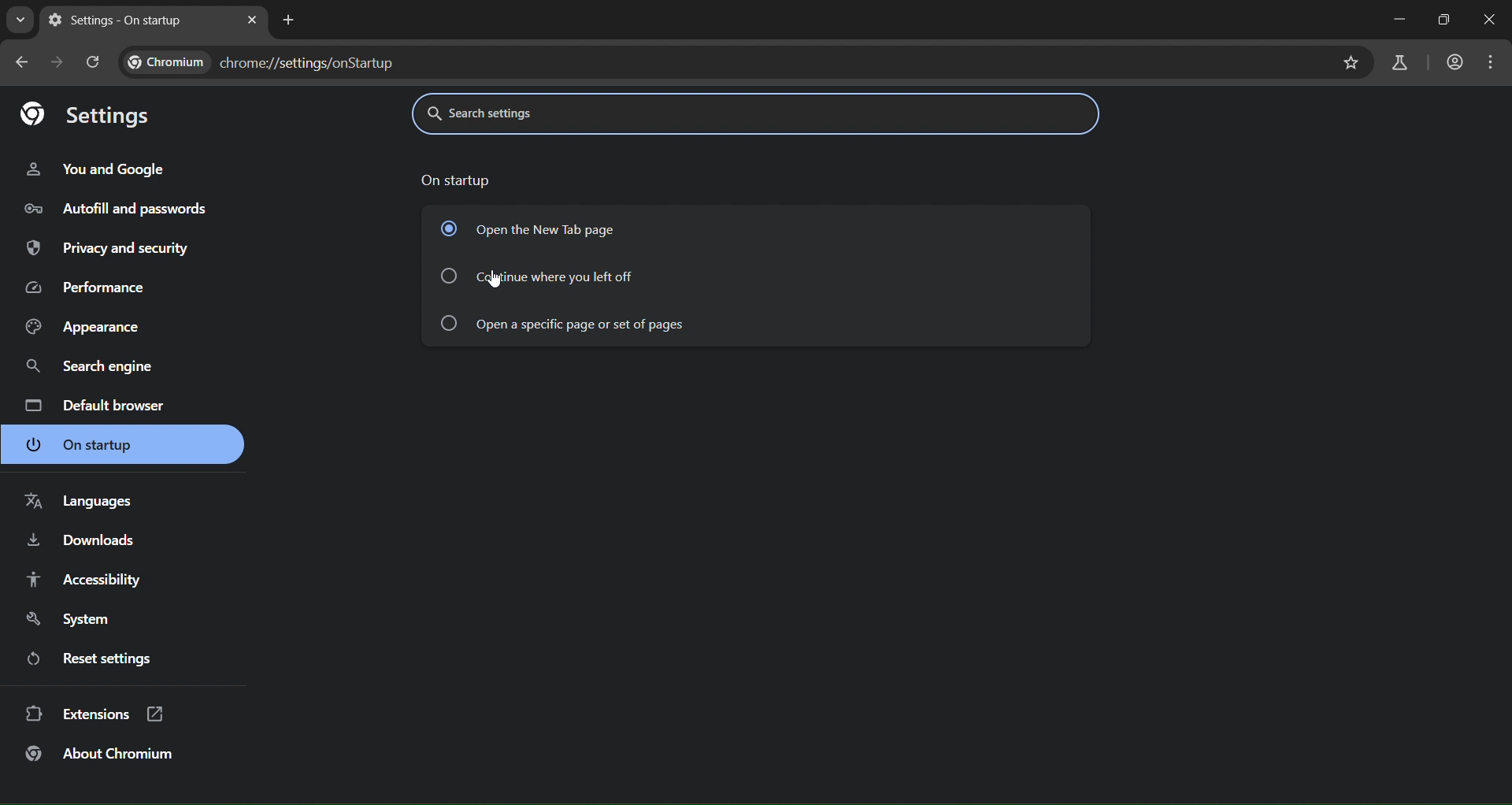  What do you see at coordinates (1447, 20) in the screenshot?
I see `restore down` at bounding box center [1447, 20].